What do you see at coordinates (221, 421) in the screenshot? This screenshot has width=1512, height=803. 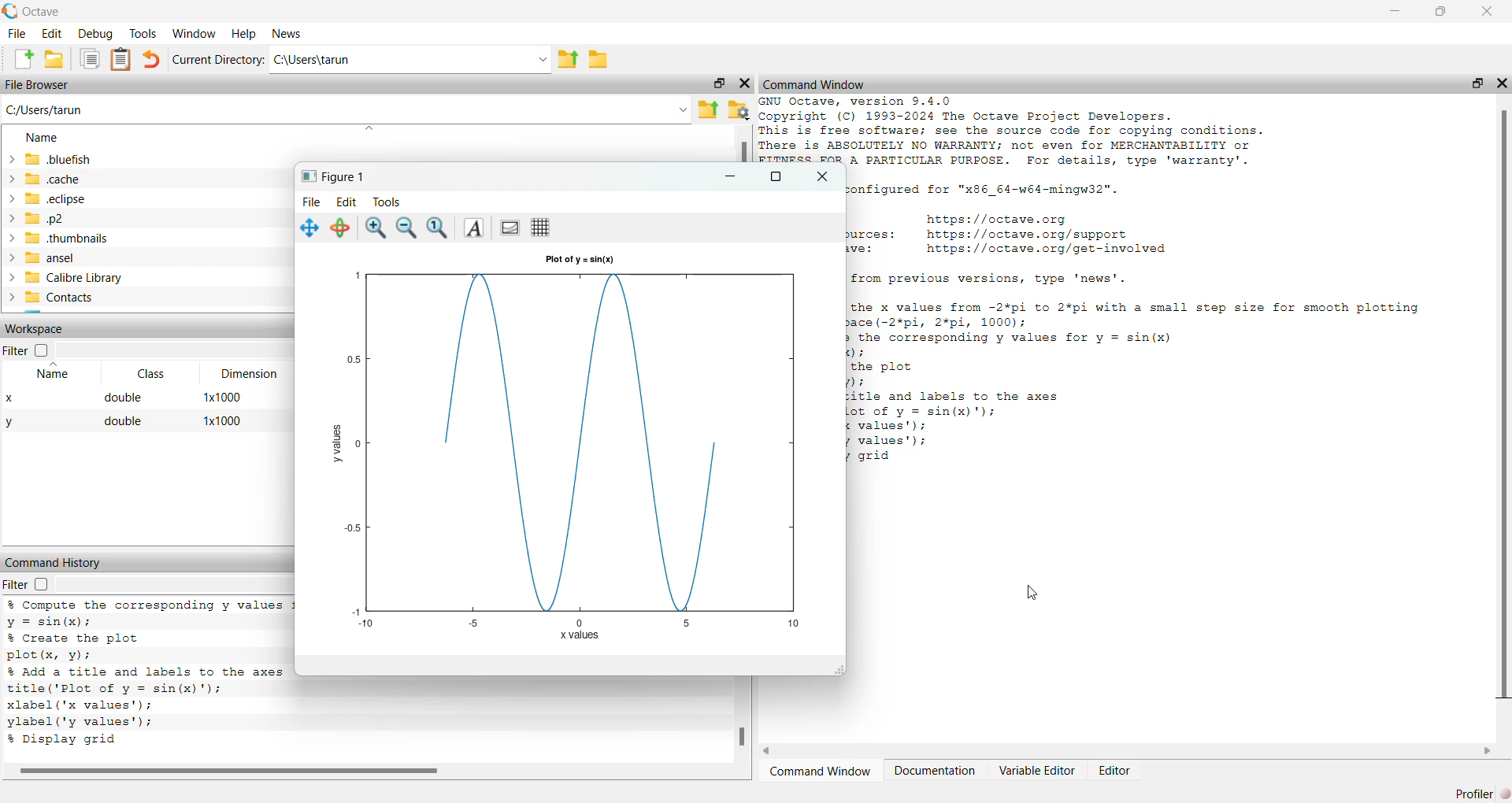 I see `1*1000` at bounding box center [221, 421].